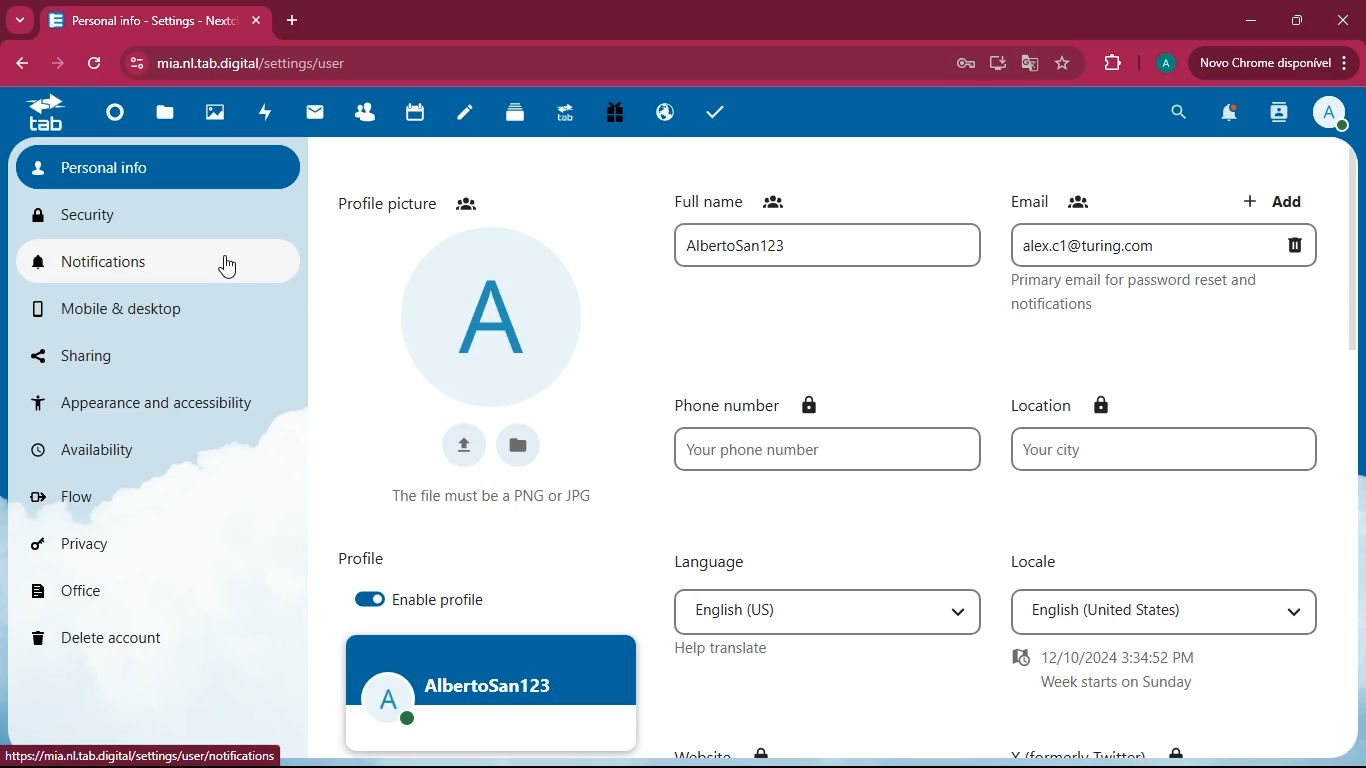 The width and height of the screenshot is (1366, 768). What do you see at coordinates (738, 200) in the screenshot?
I see `full name` at bounding box center [738, 200].